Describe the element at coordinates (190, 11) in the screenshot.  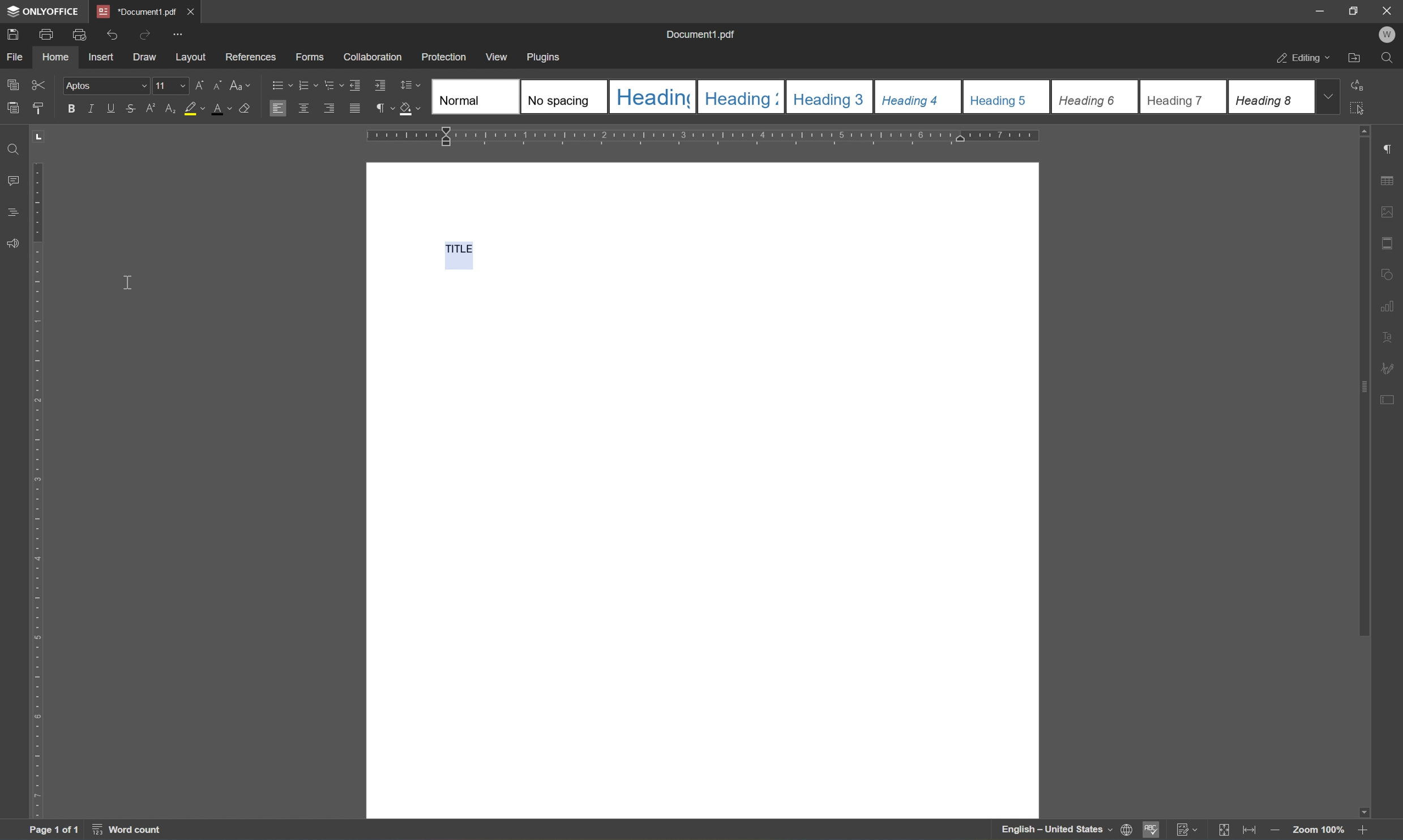
I see `close` at that location.